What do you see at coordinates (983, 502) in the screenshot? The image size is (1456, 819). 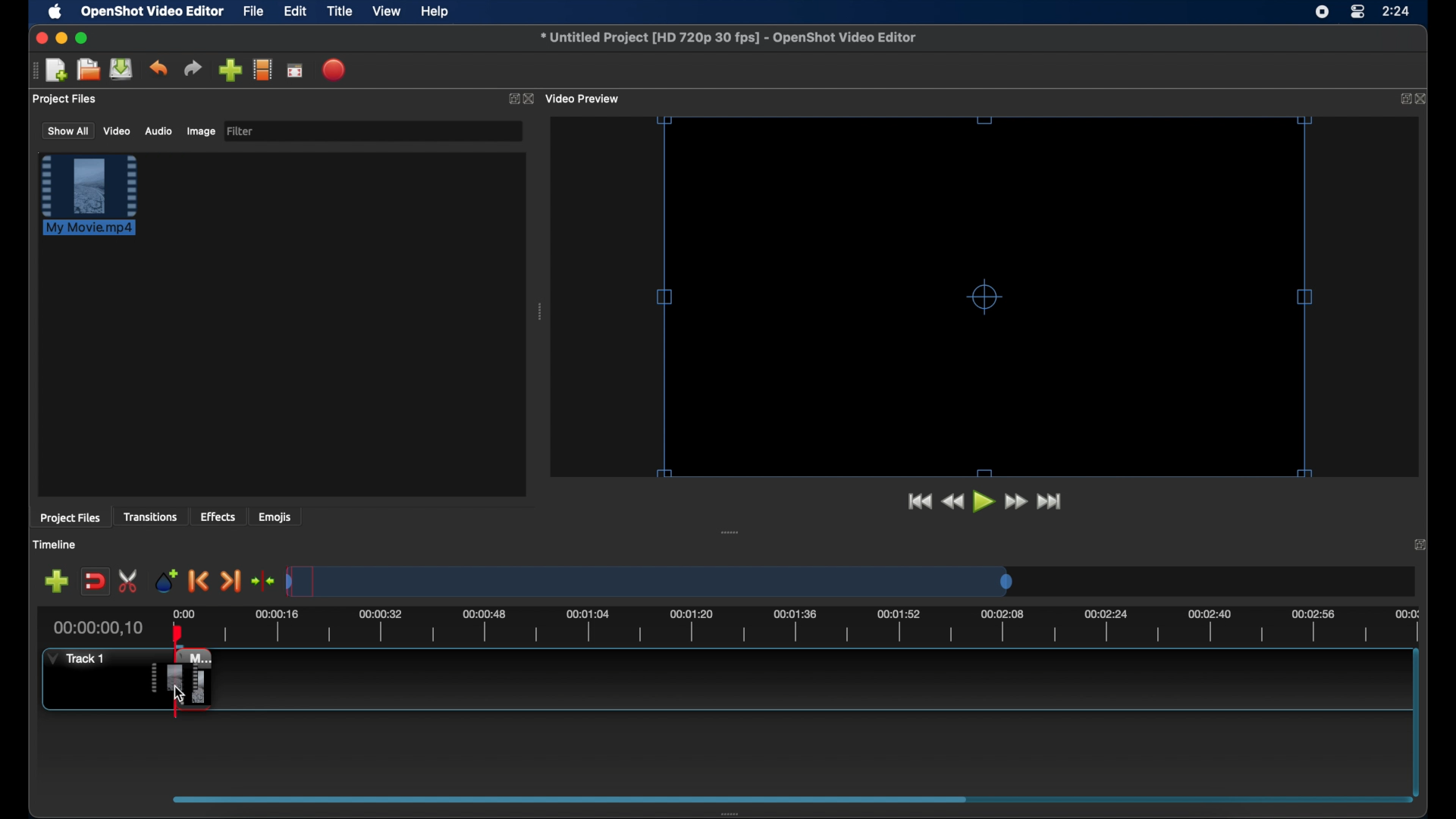 I see `play button` at bounding box center [983, 502].